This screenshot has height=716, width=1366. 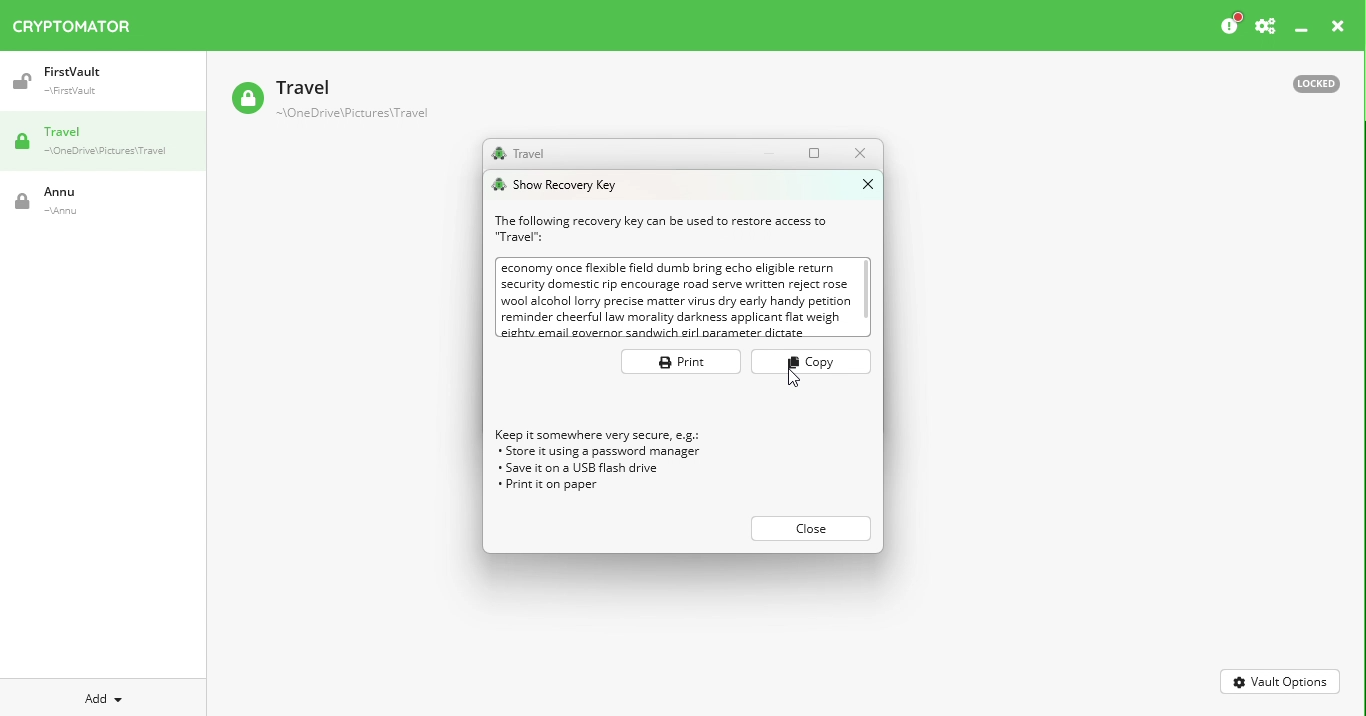 What do you see at coordinates (682, 299) in the screenshot?
I see `Recovery key box` at bounding box center [682, 299].